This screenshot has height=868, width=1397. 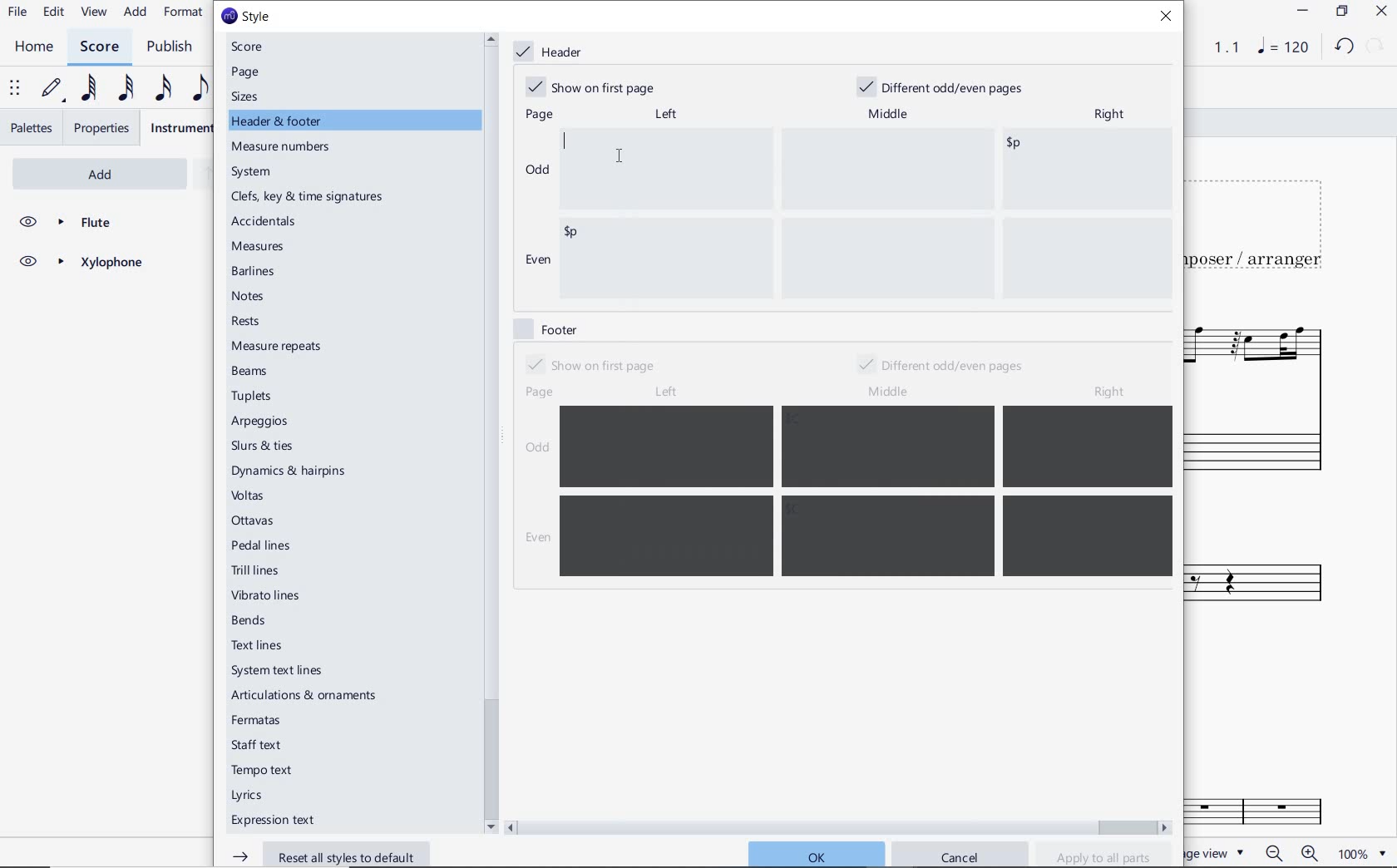 What do you see at coordinates (942, 367) in the screenshot?
I see `different odd/even` at bounding box center [942, 367].